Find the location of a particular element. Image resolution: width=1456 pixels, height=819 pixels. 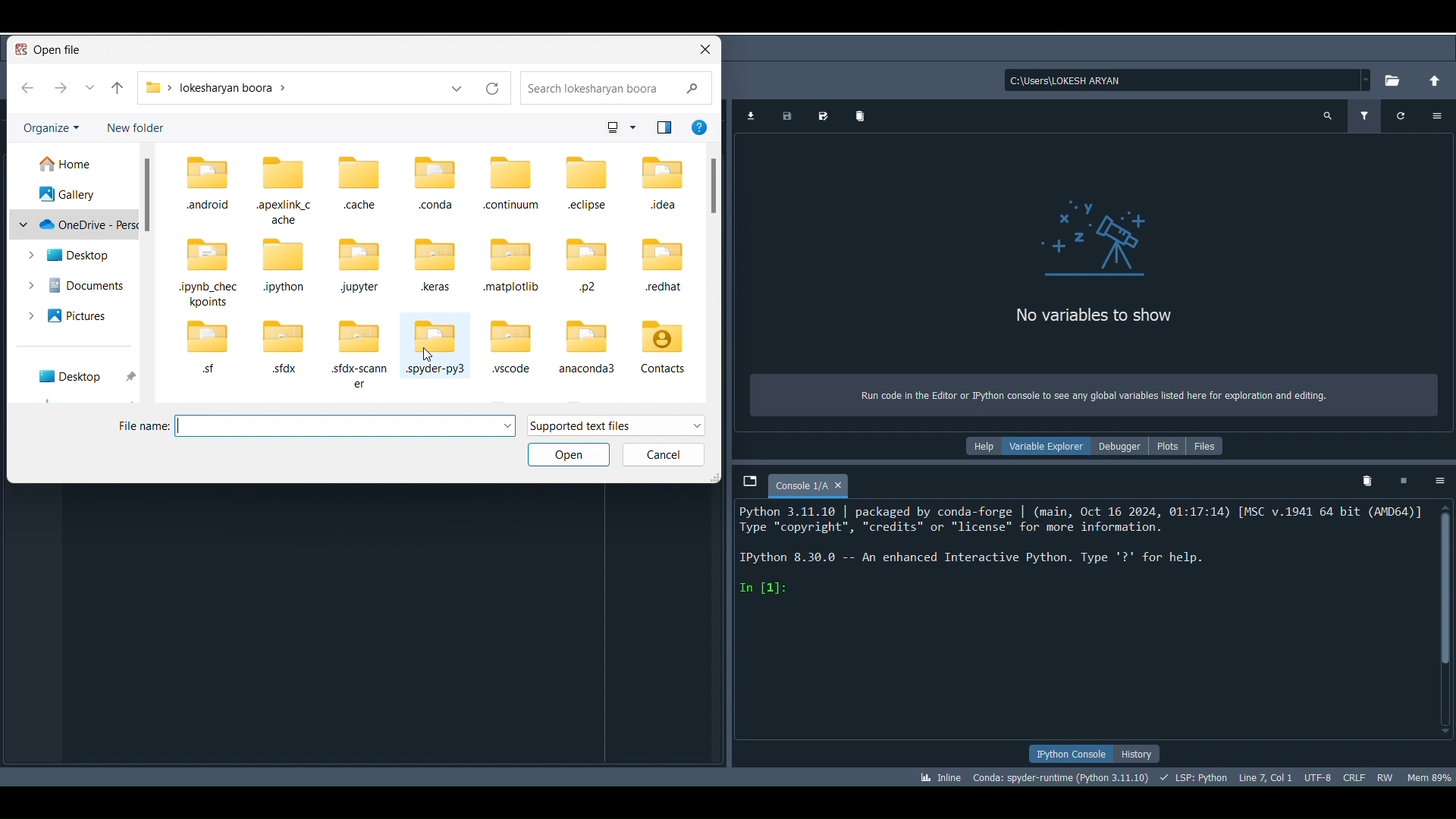

Desktop is located at coordinates (79, 254).